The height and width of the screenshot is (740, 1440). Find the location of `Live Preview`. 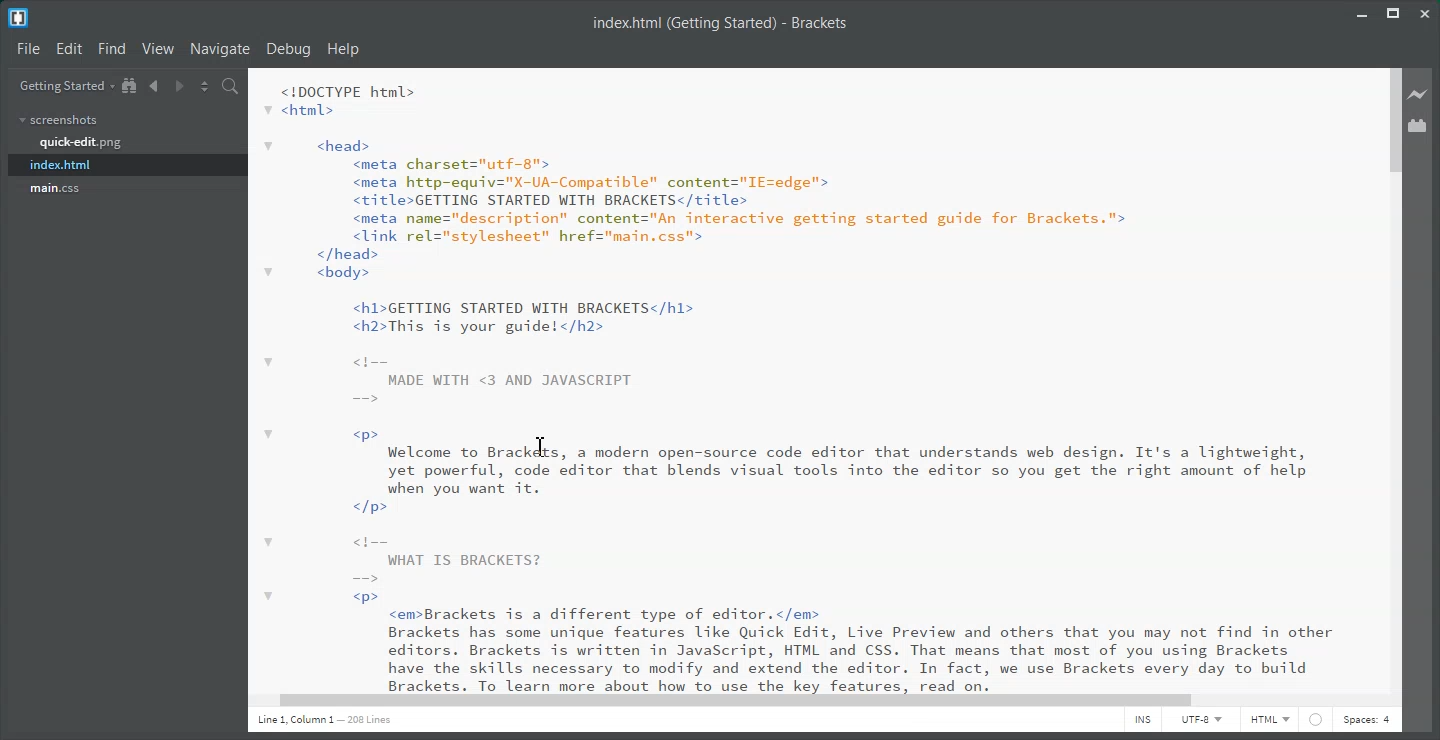

Live Preview is located at coordinates (1422, 94).